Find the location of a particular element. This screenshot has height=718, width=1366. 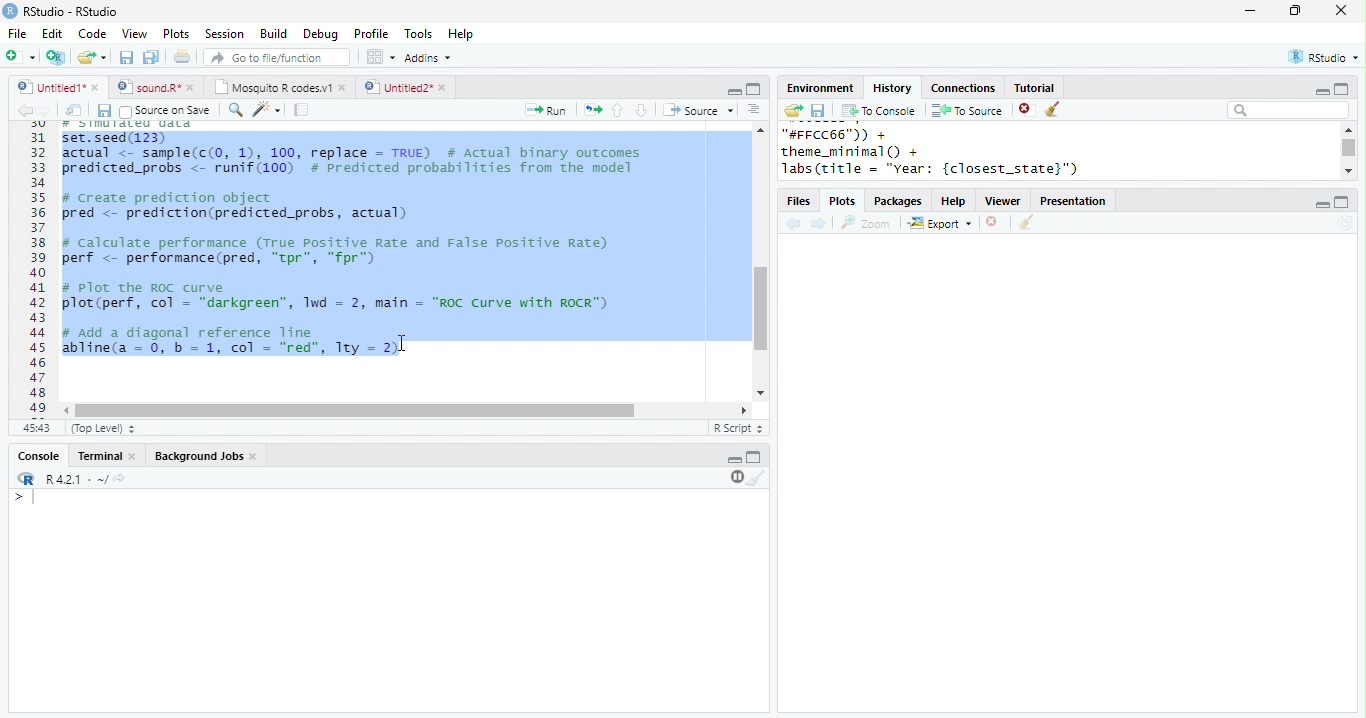

# Create prediction object
pred <- prediction(predicted_probs, actual) is located at coordinates (234, 207).